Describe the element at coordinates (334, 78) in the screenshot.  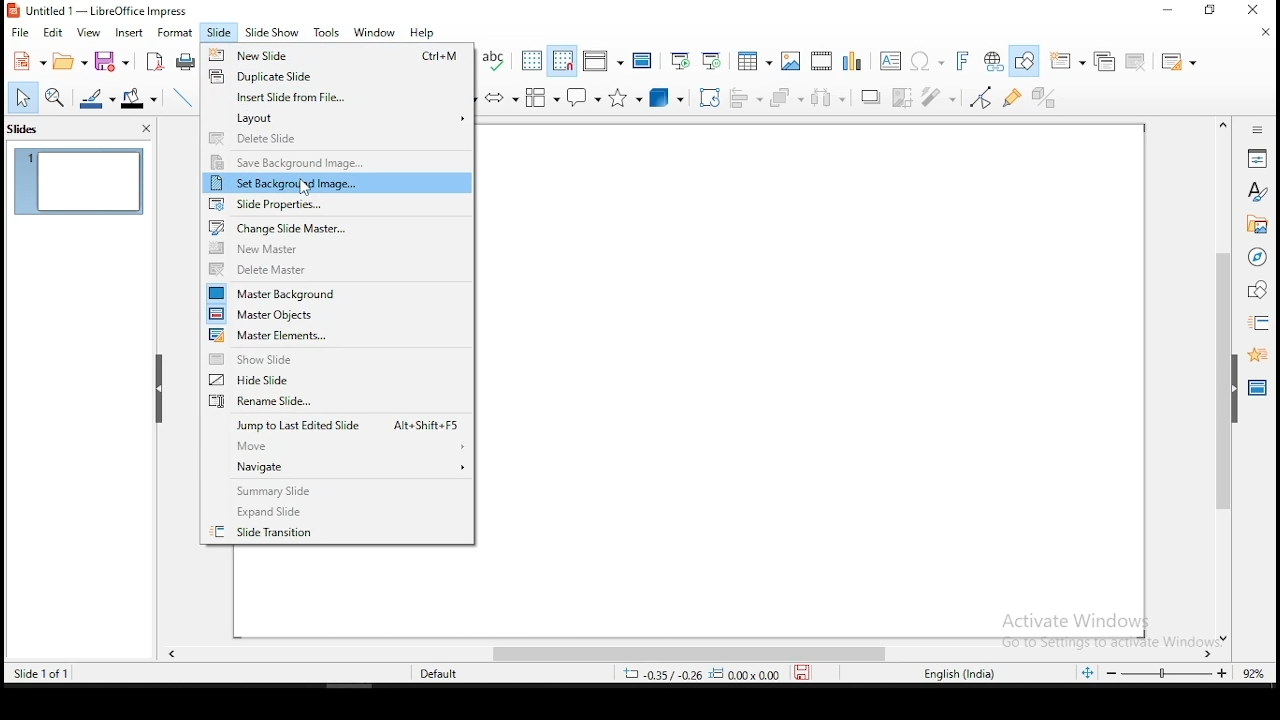
I see `duplicate slide` at that location.